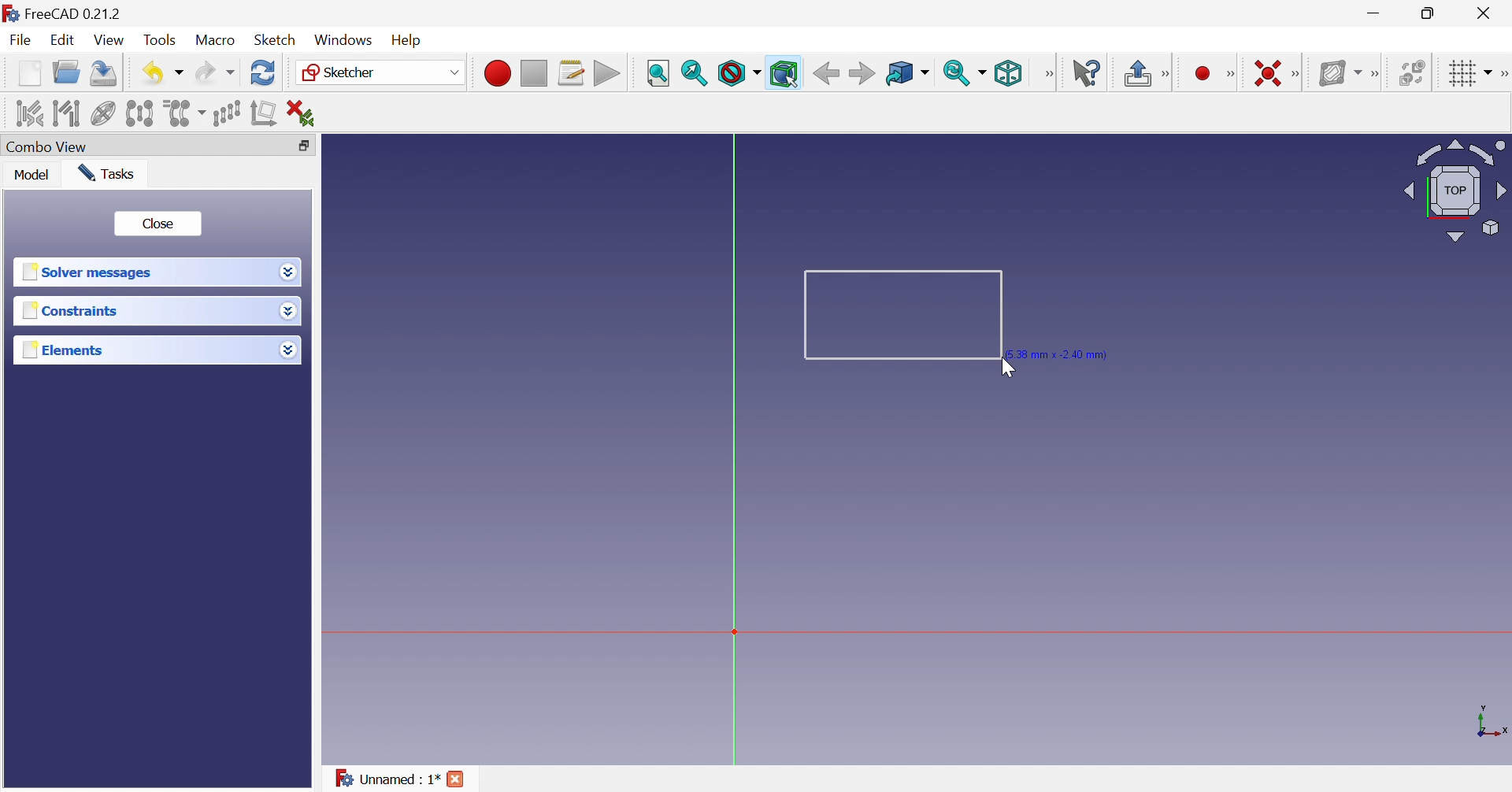  Describe the element at coordinates (1050, 73) in the screenshot. I see `View` at that location.